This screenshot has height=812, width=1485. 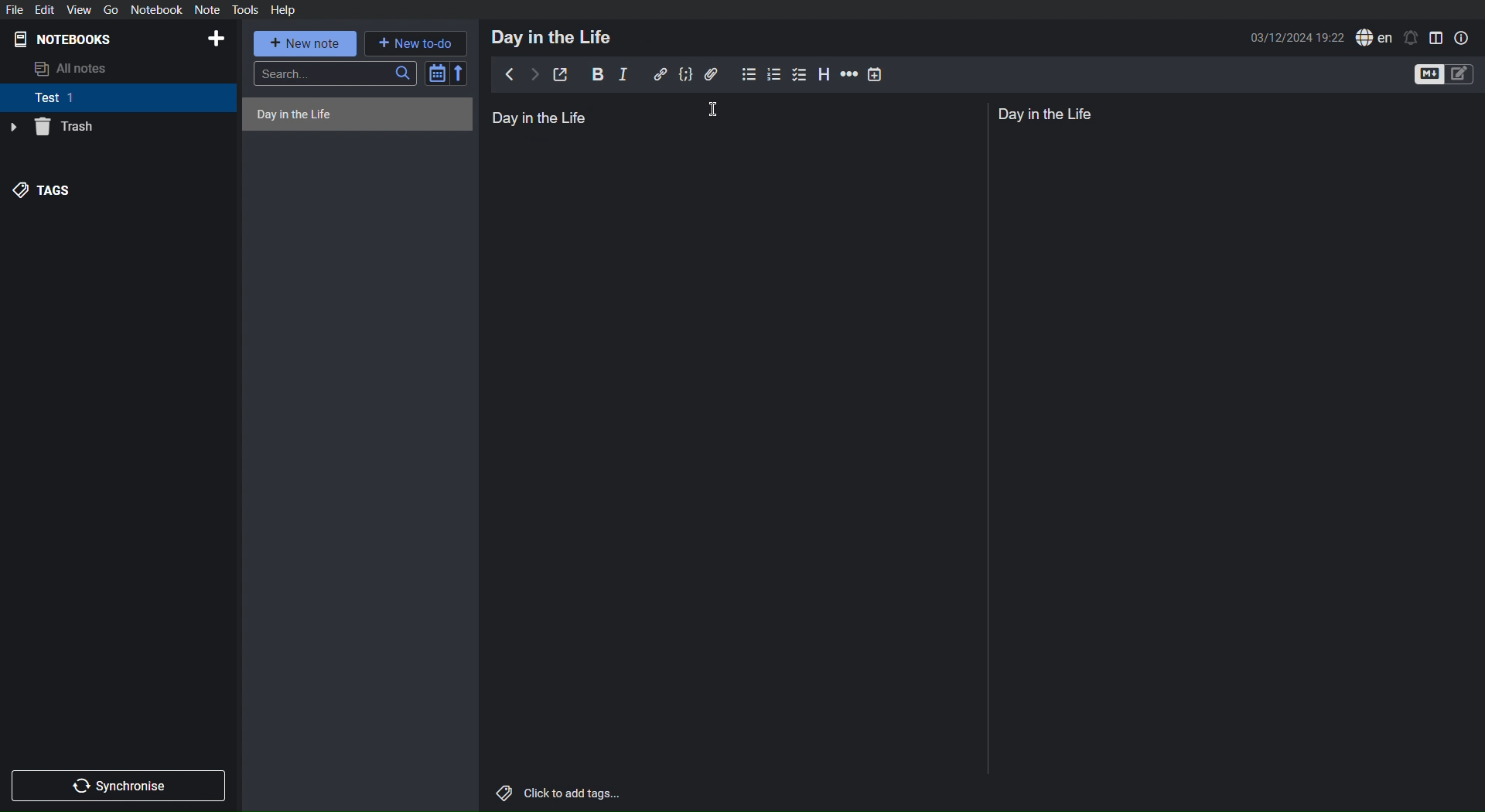 What do you see at coordinates (511, 73) in the screenshot?
I see `Back` at bounding box center [511, 73].